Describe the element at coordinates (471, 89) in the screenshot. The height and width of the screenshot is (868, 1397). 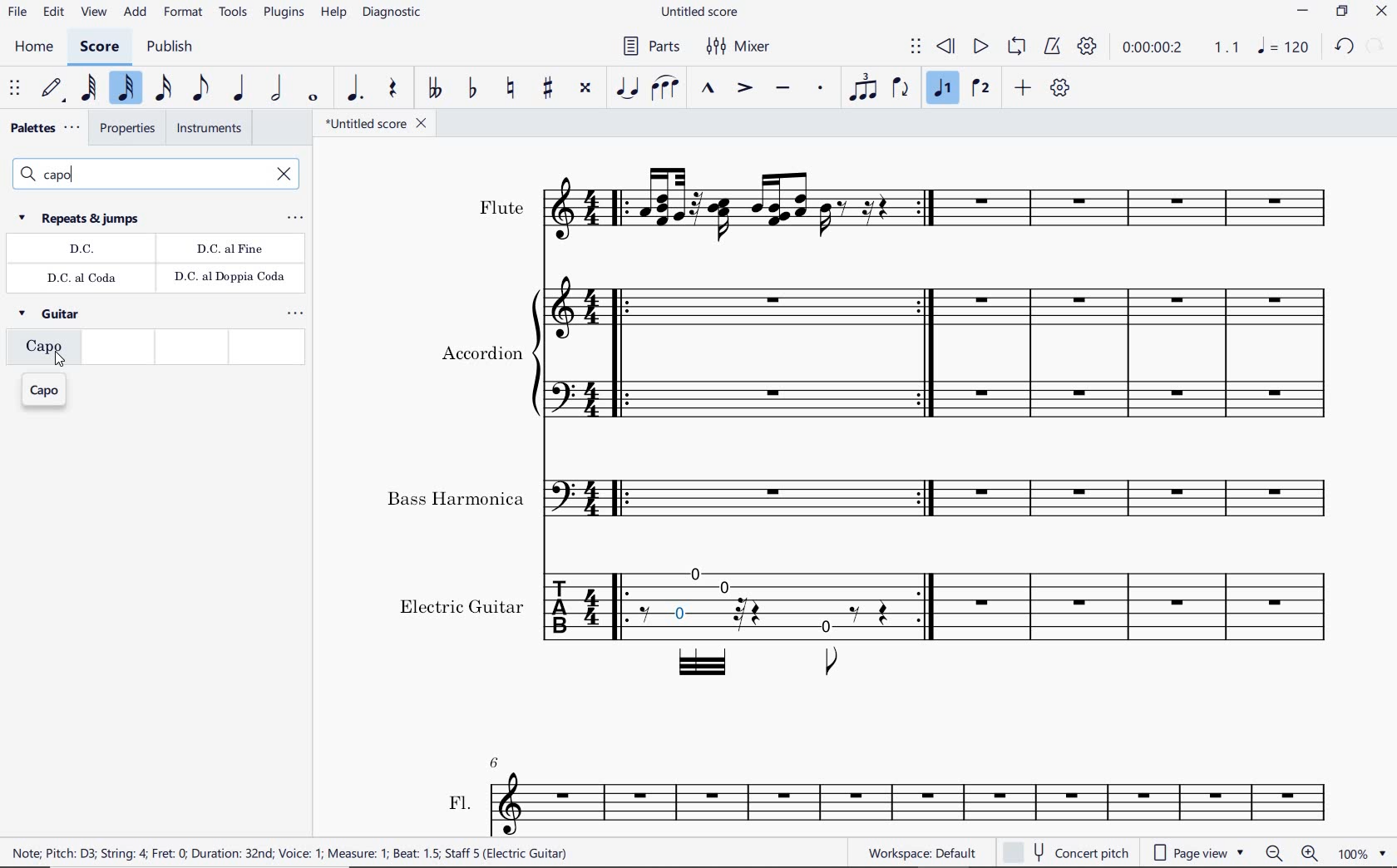
I see `toggle flat` at that location.